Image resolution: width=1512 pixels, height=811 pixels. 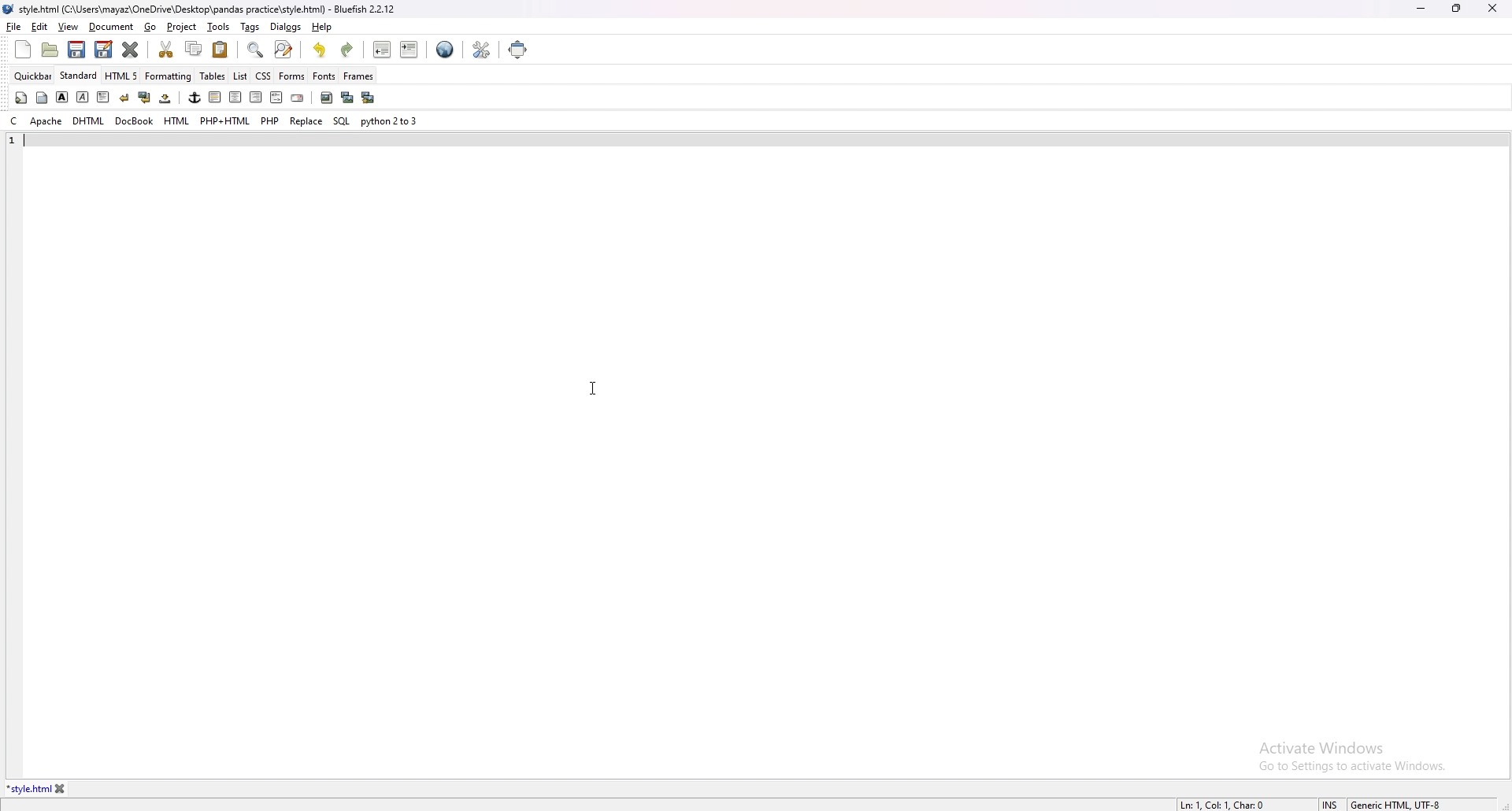 I want to click on anchor, so click(x=195, y=98).